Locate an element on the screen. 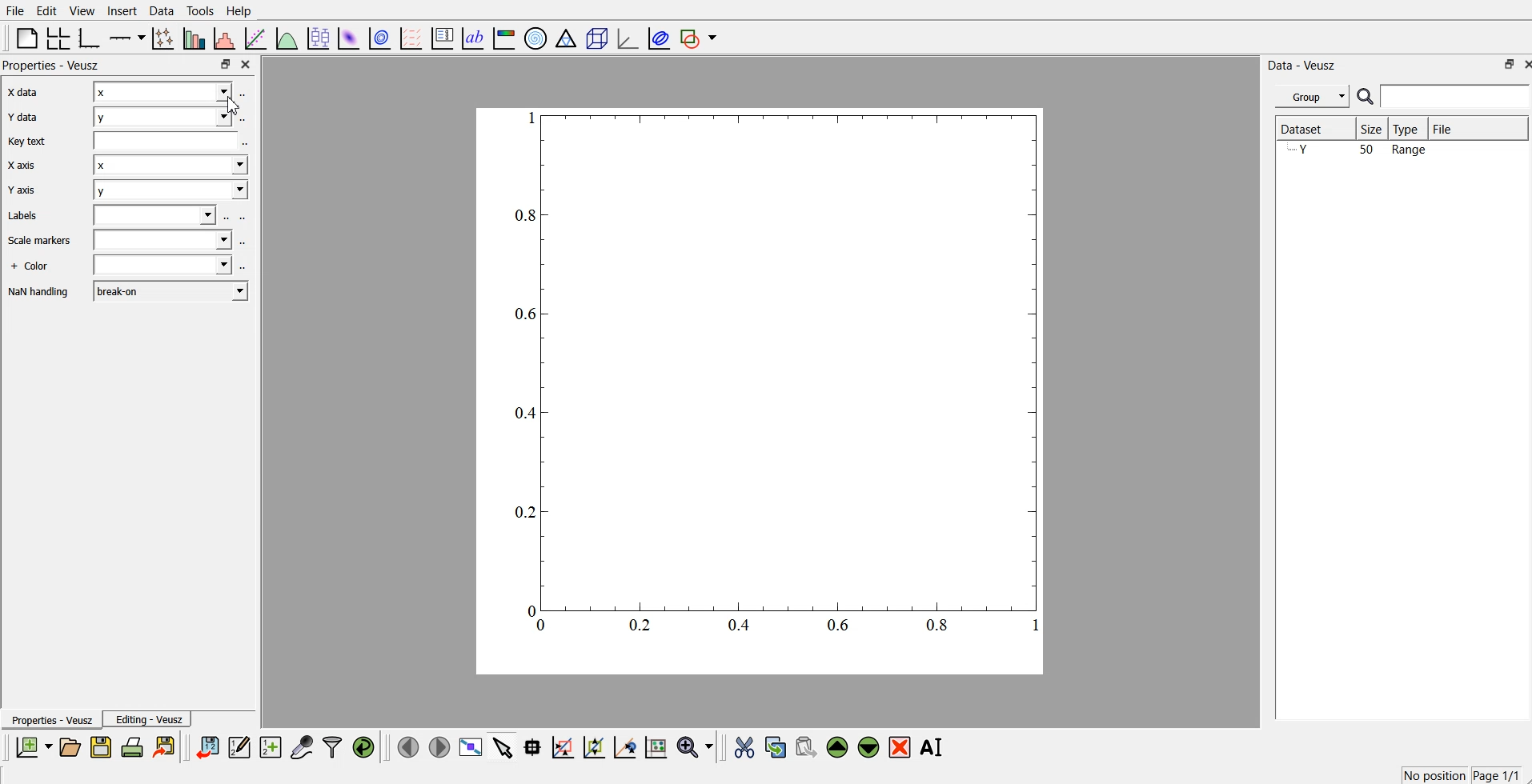 This screenshot has width=1532, height=784. Size is located at coordinates (1375, 130).